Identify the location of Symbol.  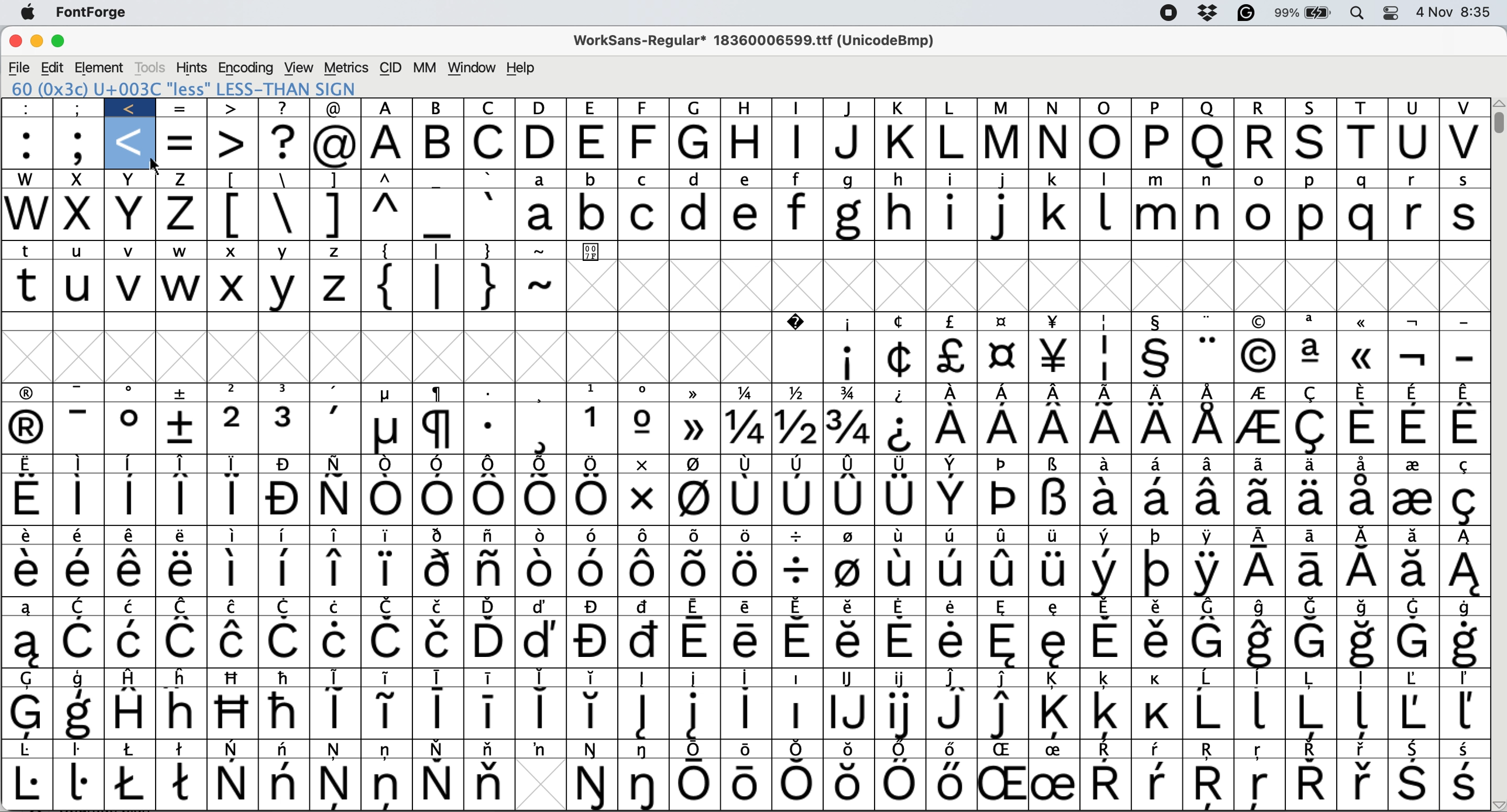
(229, 572).